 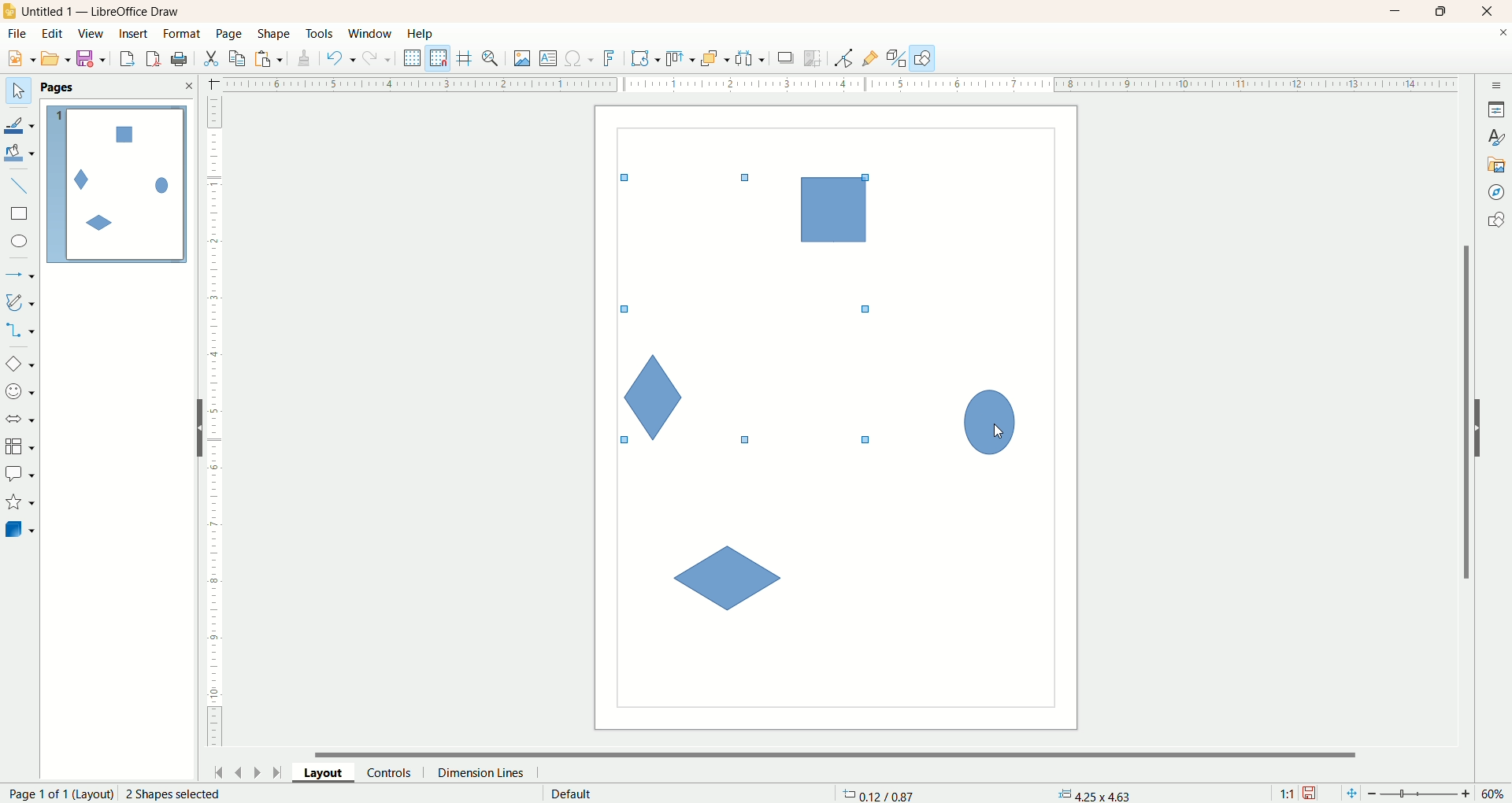 I want to click on 2 Shape selected, so click(x=172, y=794).